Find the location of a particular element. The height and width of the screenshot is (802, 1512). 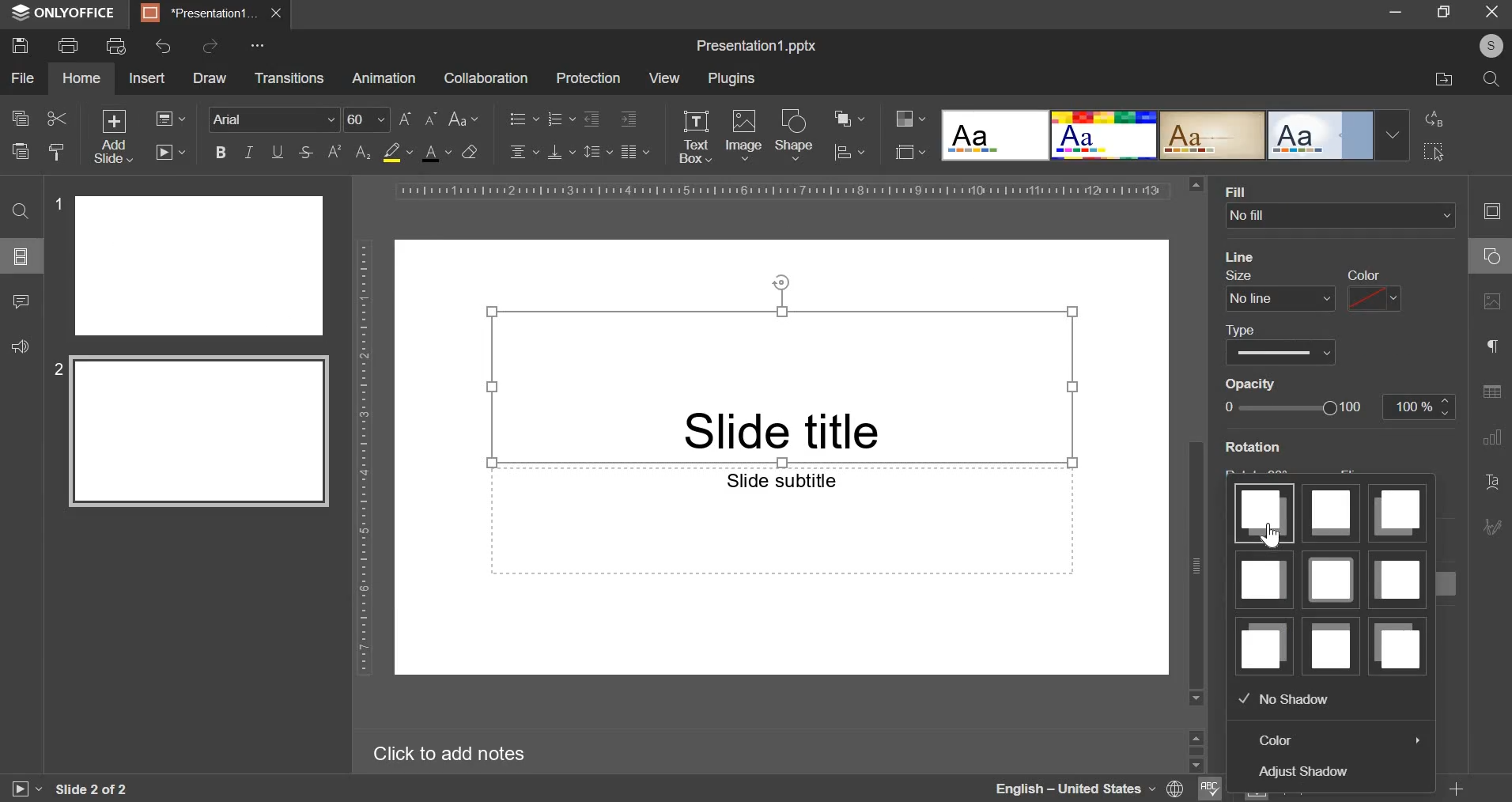

vertical alignment is located at coordinates (562, 151).